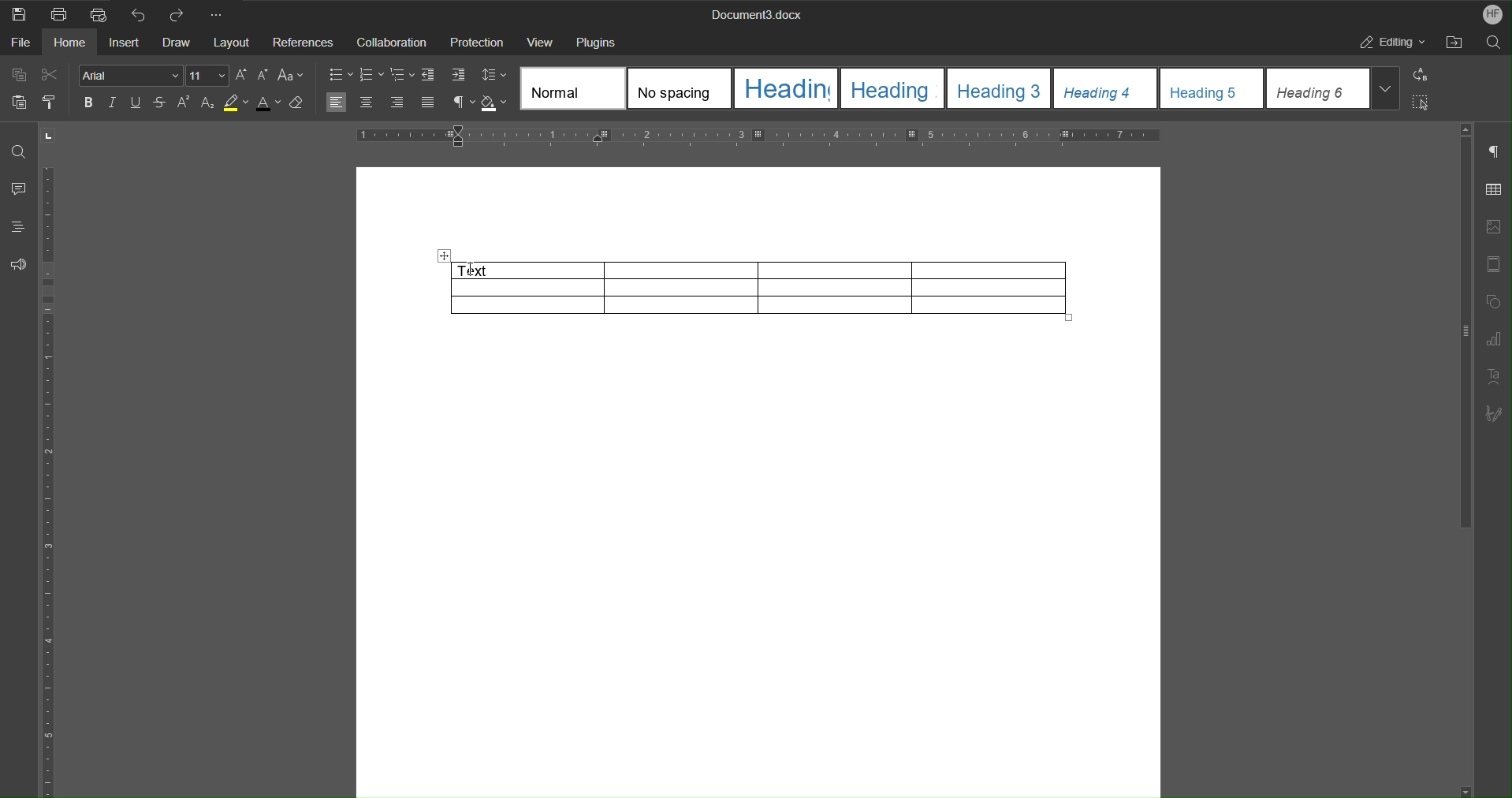  Describe the element at coordinates (49, 75) in the screenshot. I see `Cut` at that location.